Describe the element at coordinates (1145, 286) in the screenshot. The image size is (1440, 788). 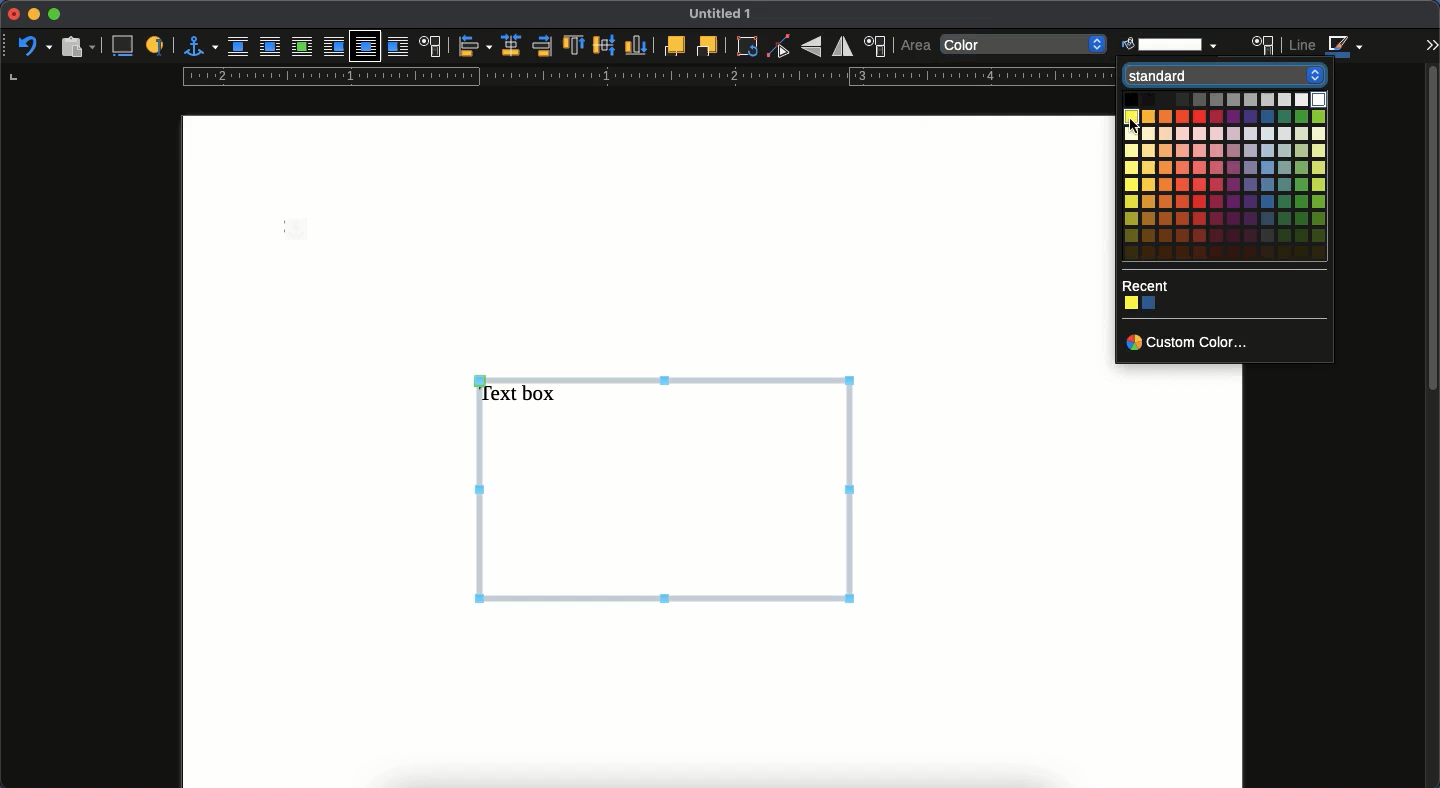
I see `recent colors` at that location.